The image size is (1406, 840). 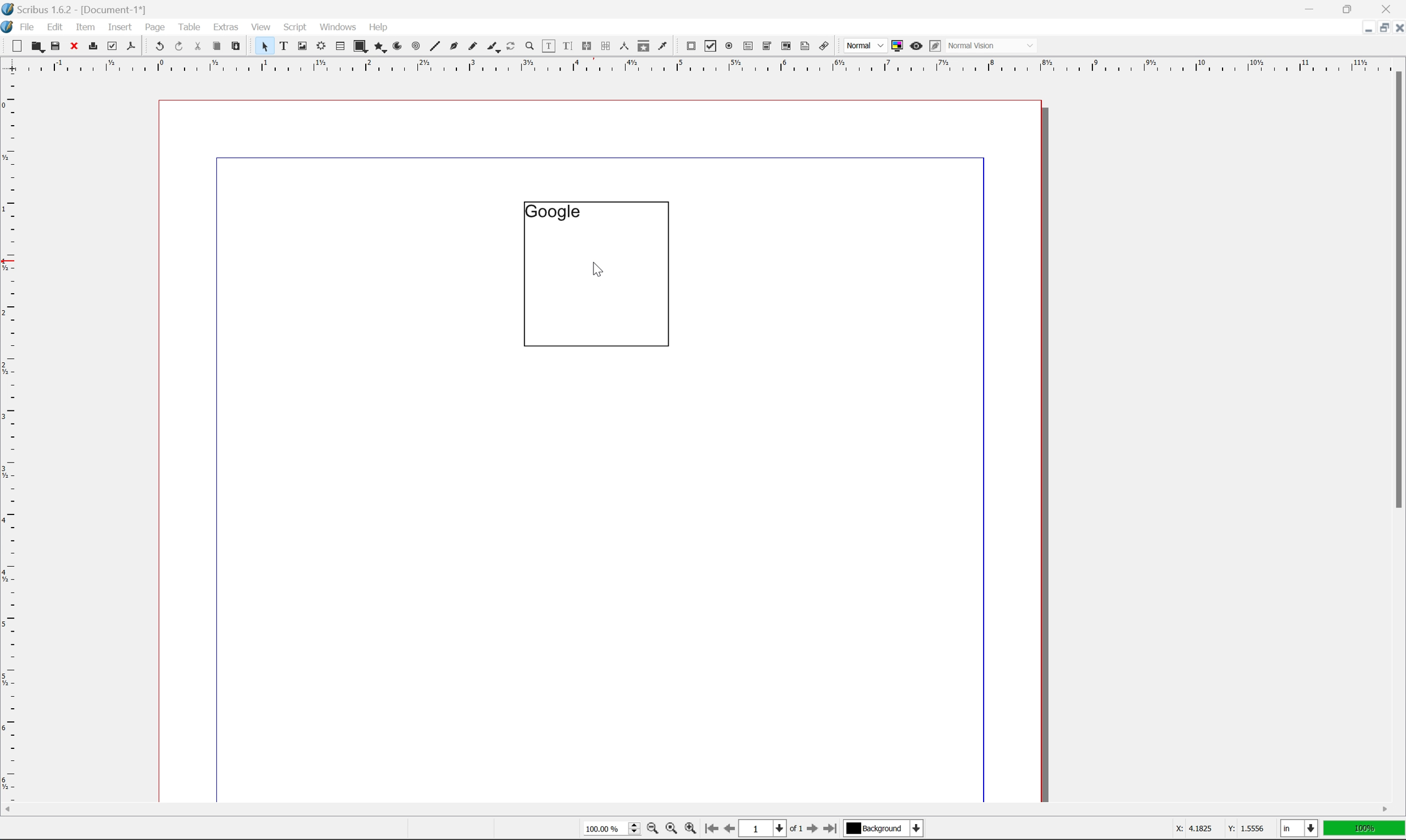 What do you see at coordinates (264, 48) in the screenshot?
I see `select frame` at bounding box center [264, 48].